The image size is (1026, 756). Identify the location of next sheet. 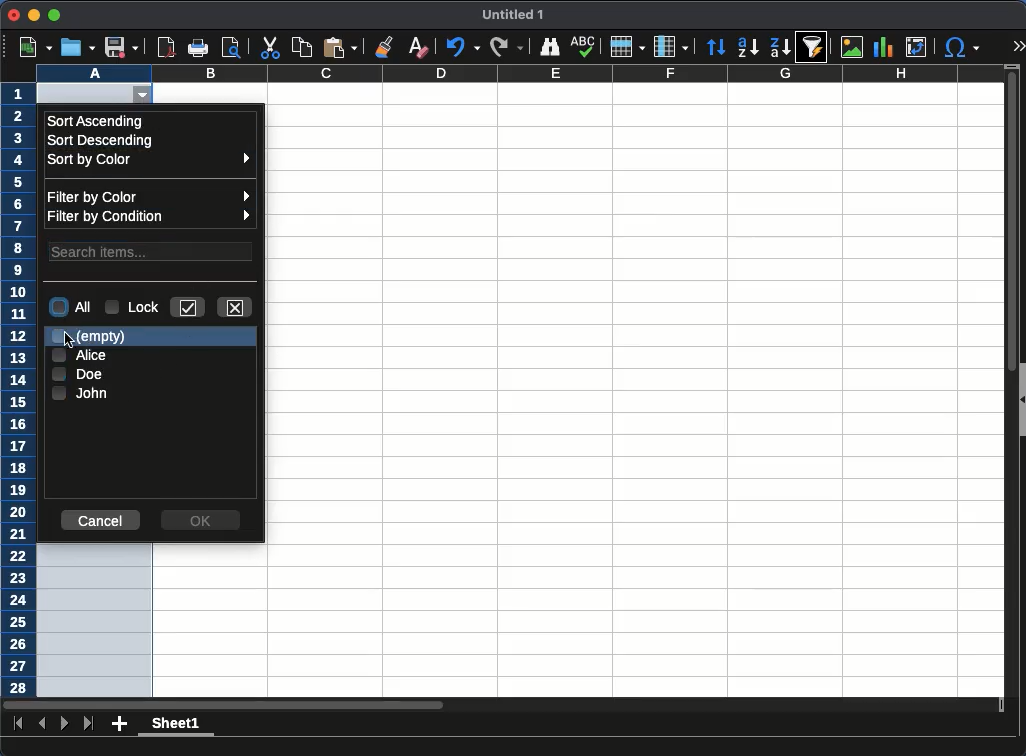
(63, 723).